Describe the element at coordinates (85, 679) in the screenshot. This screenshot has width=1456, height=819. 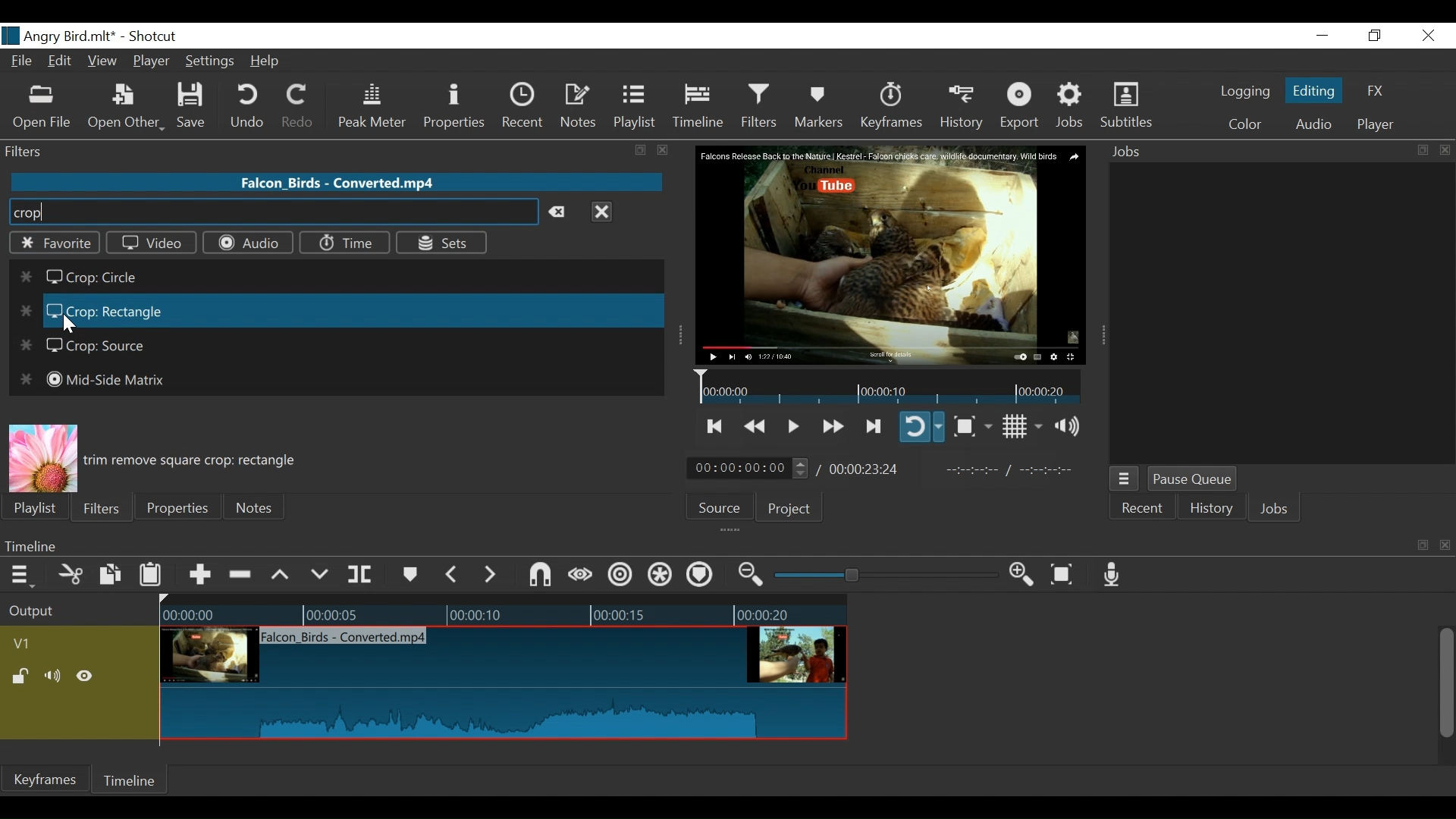
I see `Hide` at that location.